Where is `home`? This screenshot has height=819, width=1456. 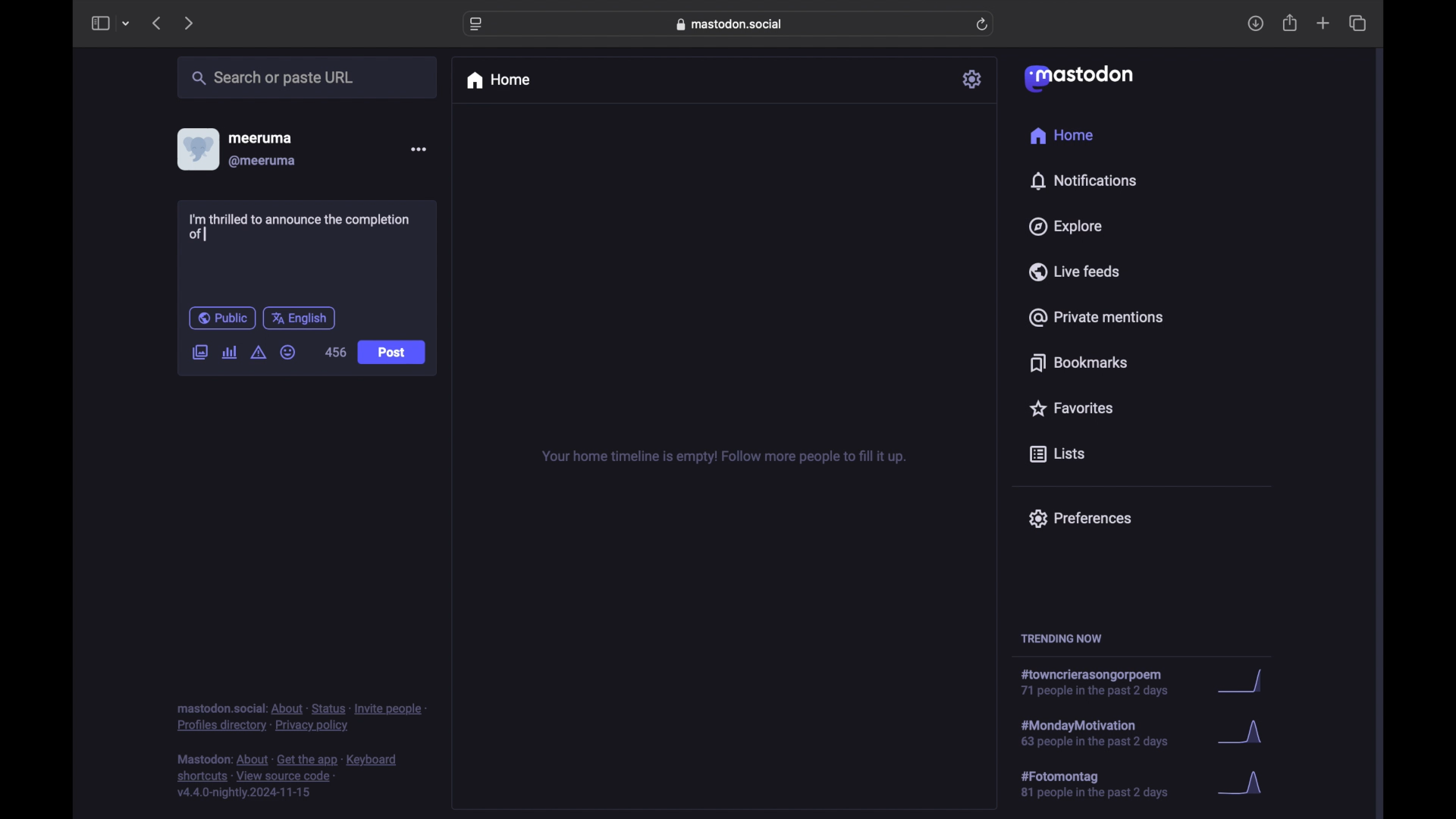 home is located at coordinates (497, 80).